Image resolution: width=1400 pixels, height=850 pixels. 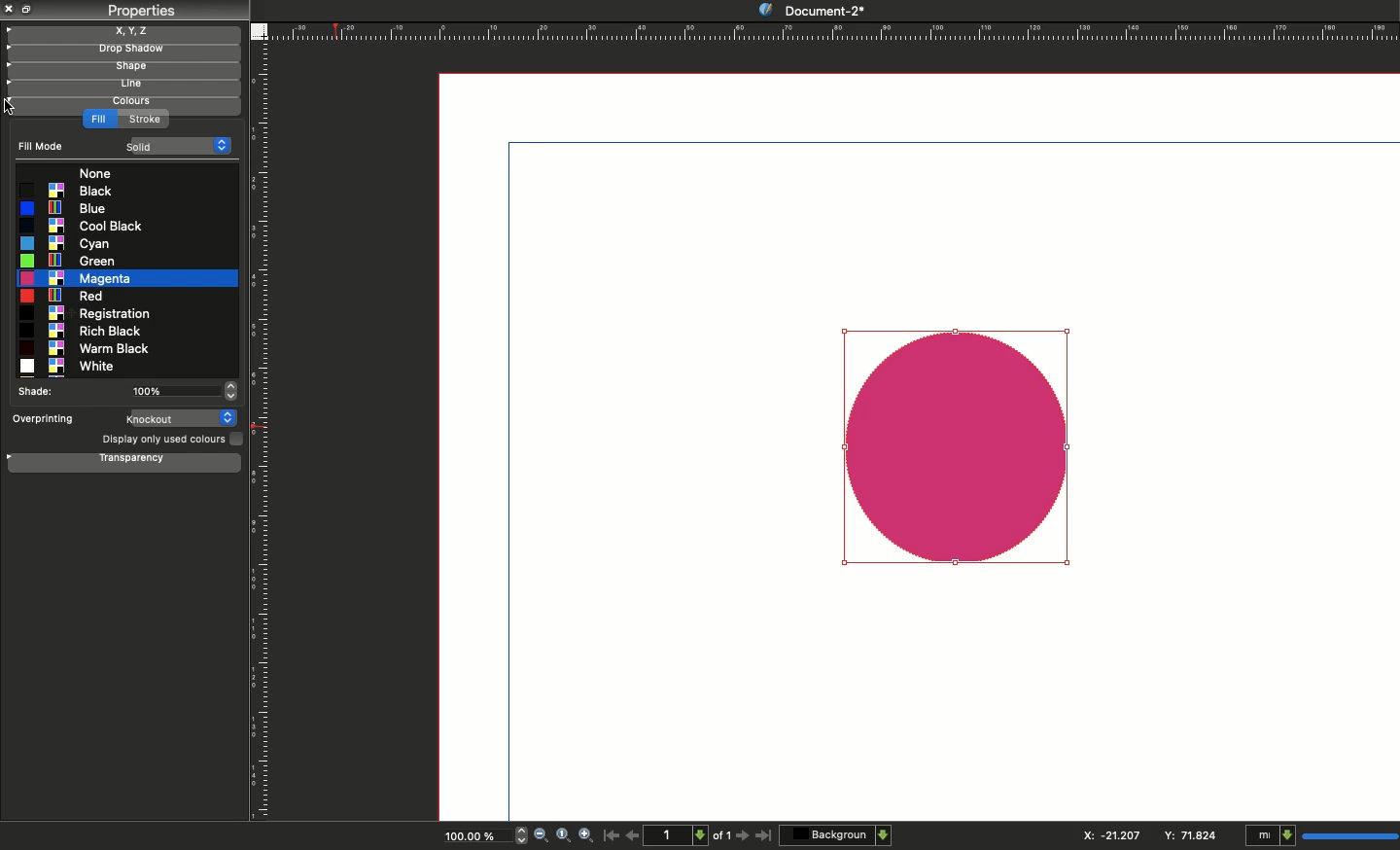 I want to click on White, so click(x=74, y=368).